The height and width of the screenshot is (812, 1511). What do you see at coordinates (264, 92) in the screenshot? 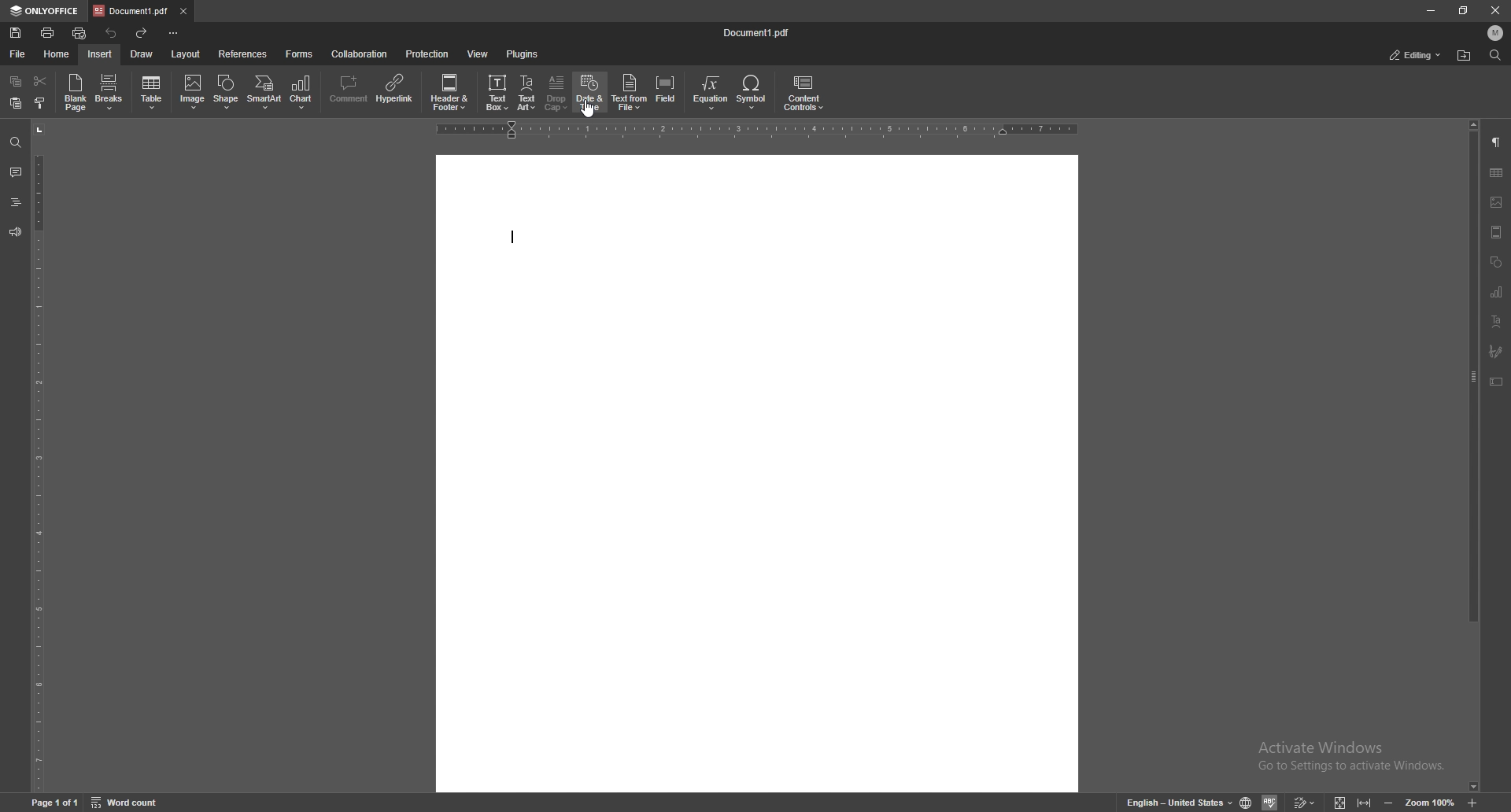
I see `smart art` at bounding box center [264, 92].